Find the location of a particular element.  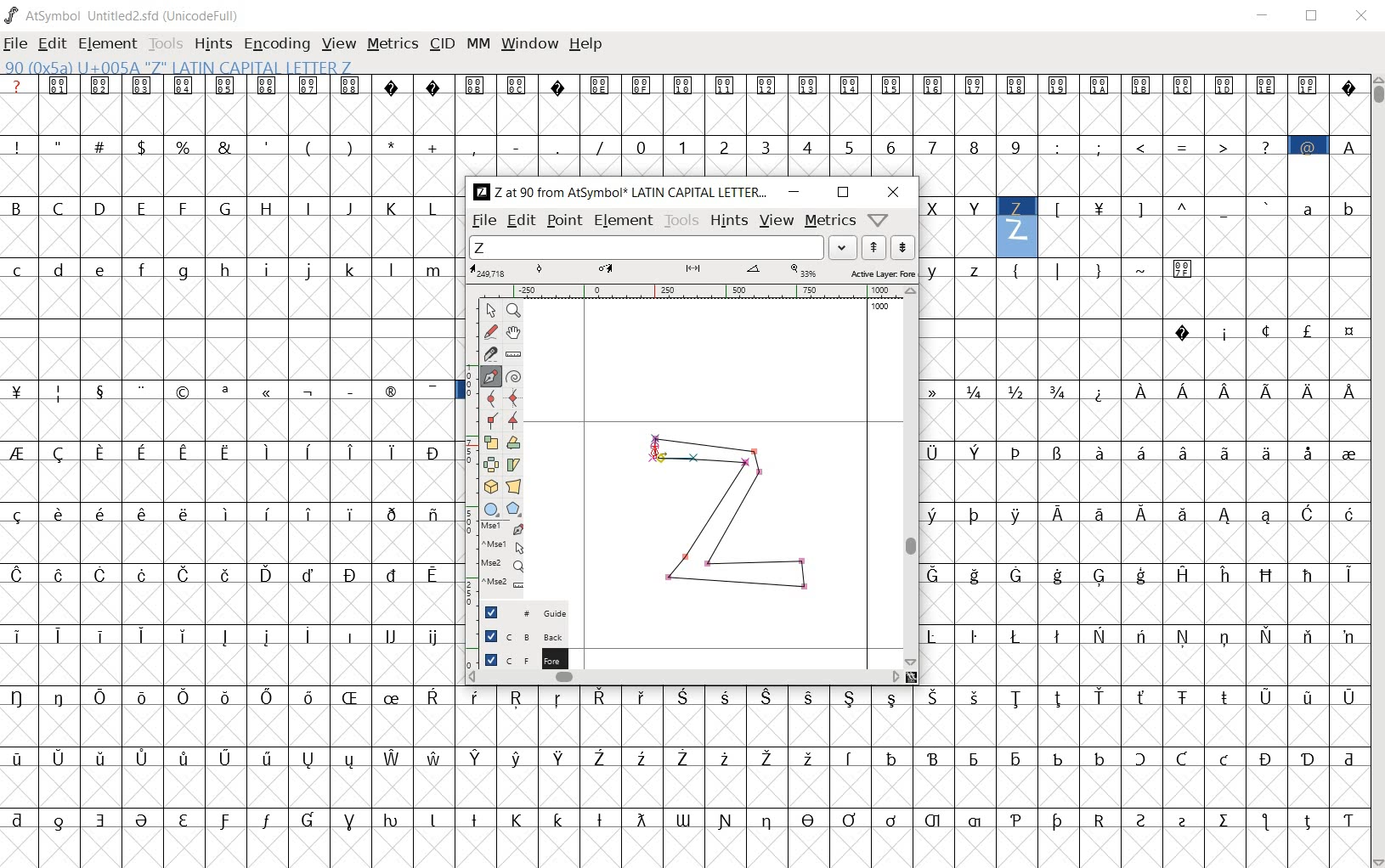

view is located at coordinates (776, 222).